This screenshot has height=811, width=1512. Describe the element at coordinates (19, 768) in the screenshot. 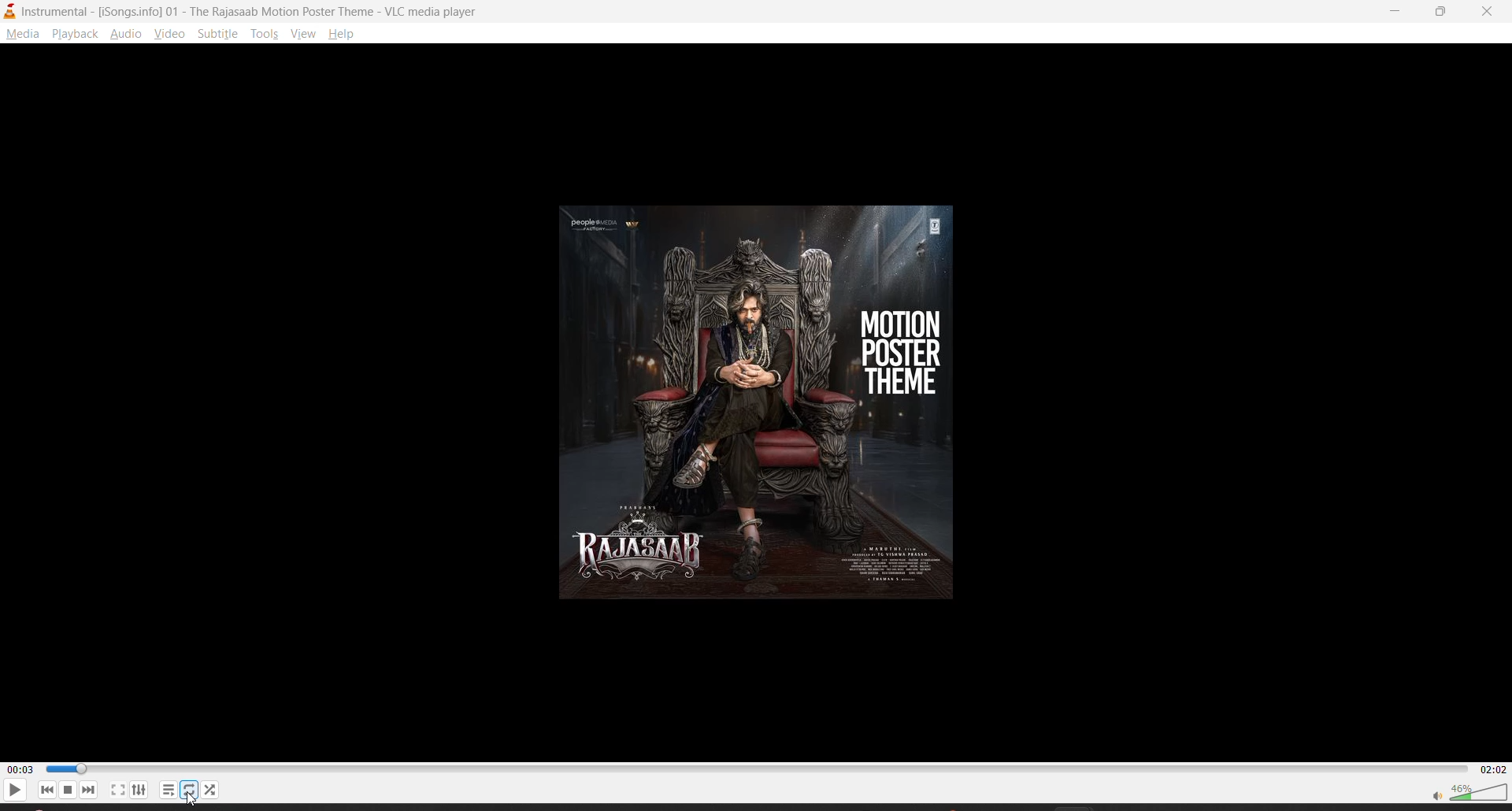

I see `00:03` at that location.